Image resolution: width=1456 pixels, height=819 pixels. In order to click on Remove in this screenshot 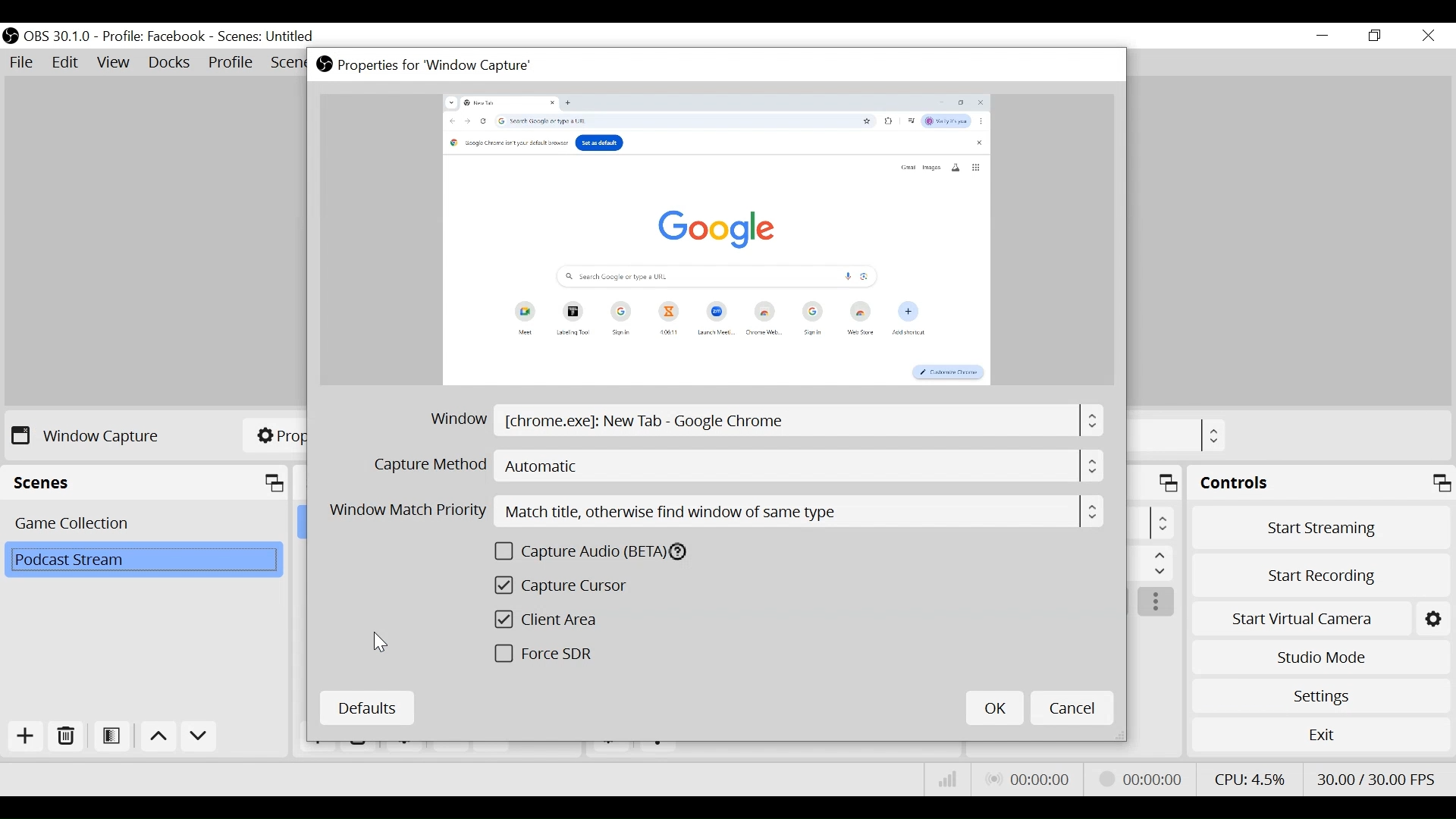, I will do `click(64, 736)`.